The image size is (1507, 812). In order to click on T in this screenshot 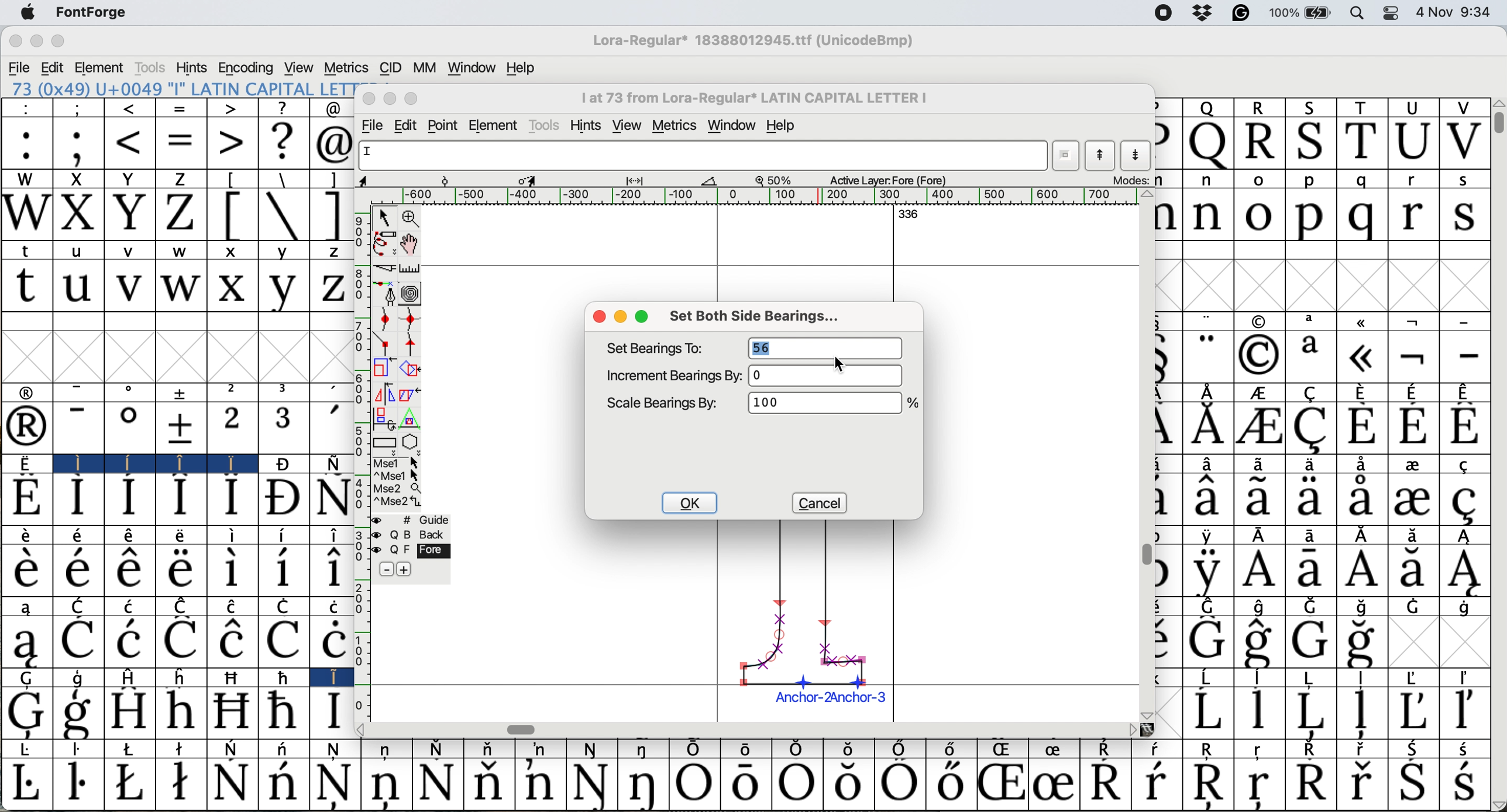, I will do `click(1363, 142)`.